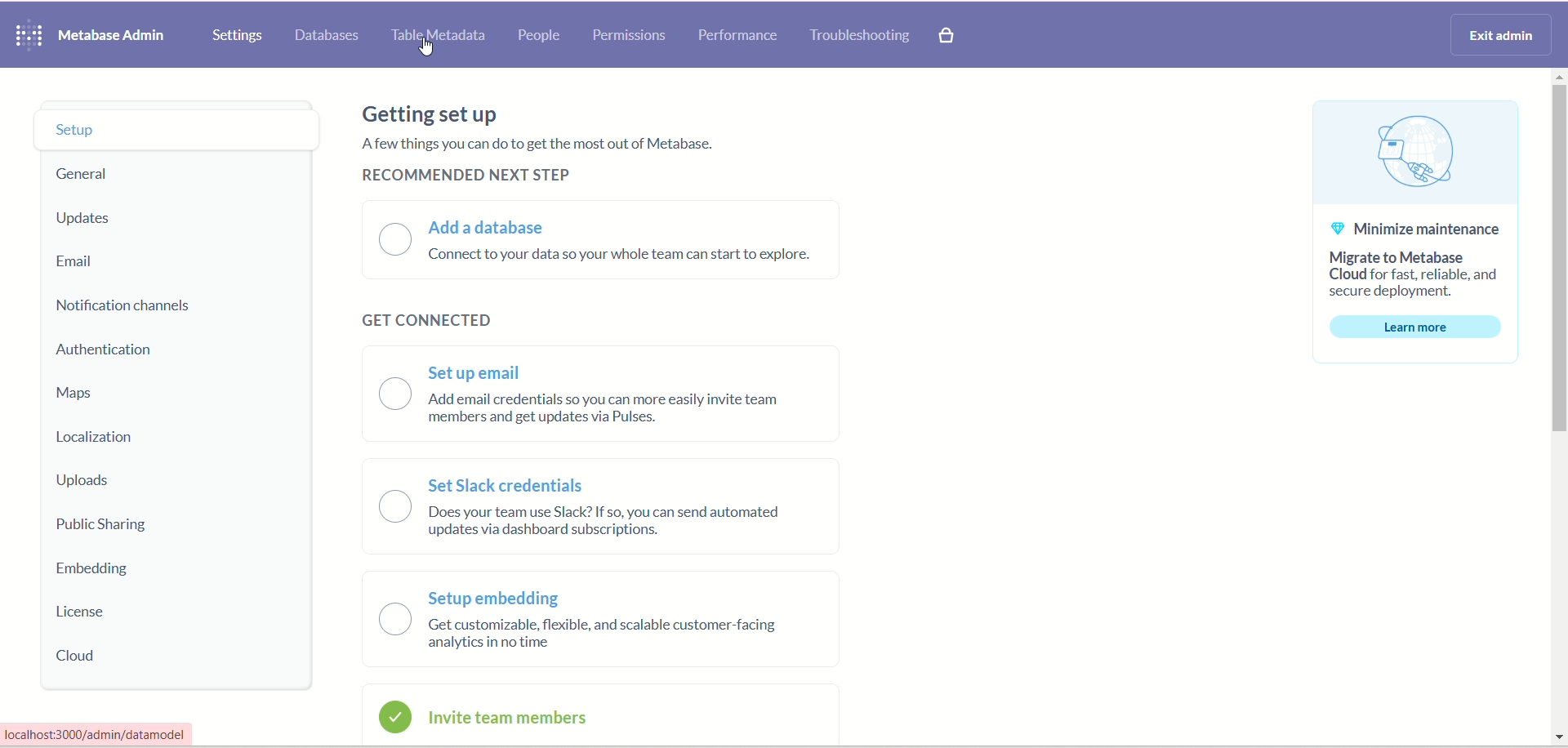  Describe the element at coordinates (1415, 327) in the screenshot. I see `learn more` at that location.